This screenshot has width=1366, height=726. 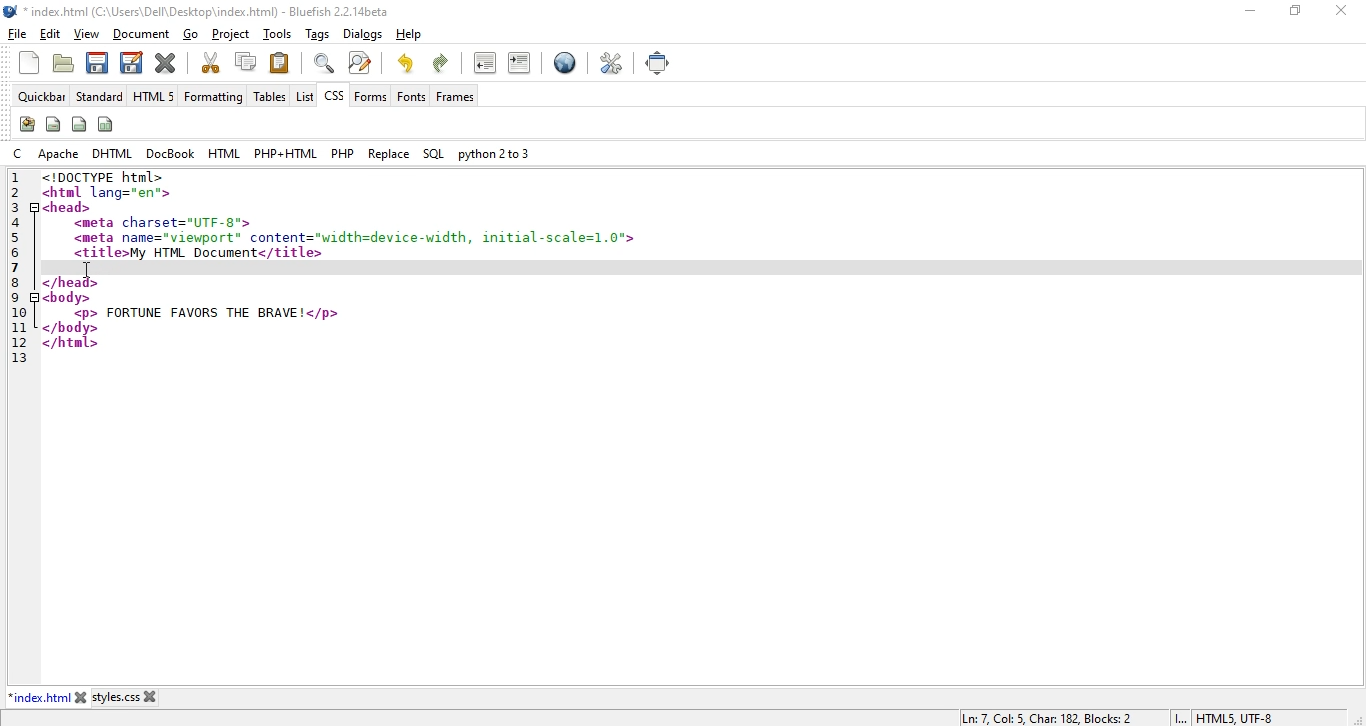 What do you see at coordinates (359, 62) in the screenshot?
I see `advanced find and replace` at bounding box center [359, 62].